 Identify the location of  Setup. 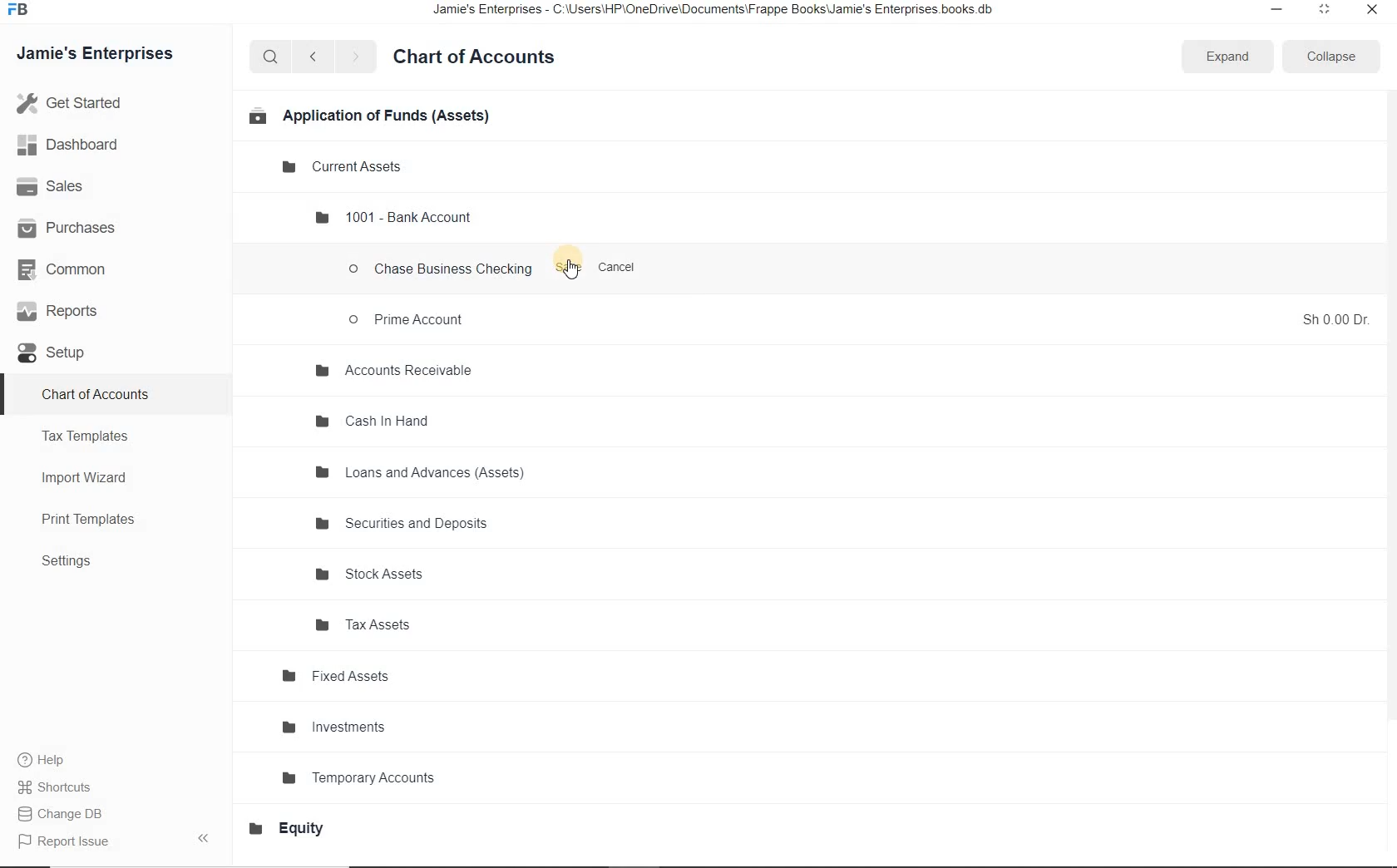
(63, 354).